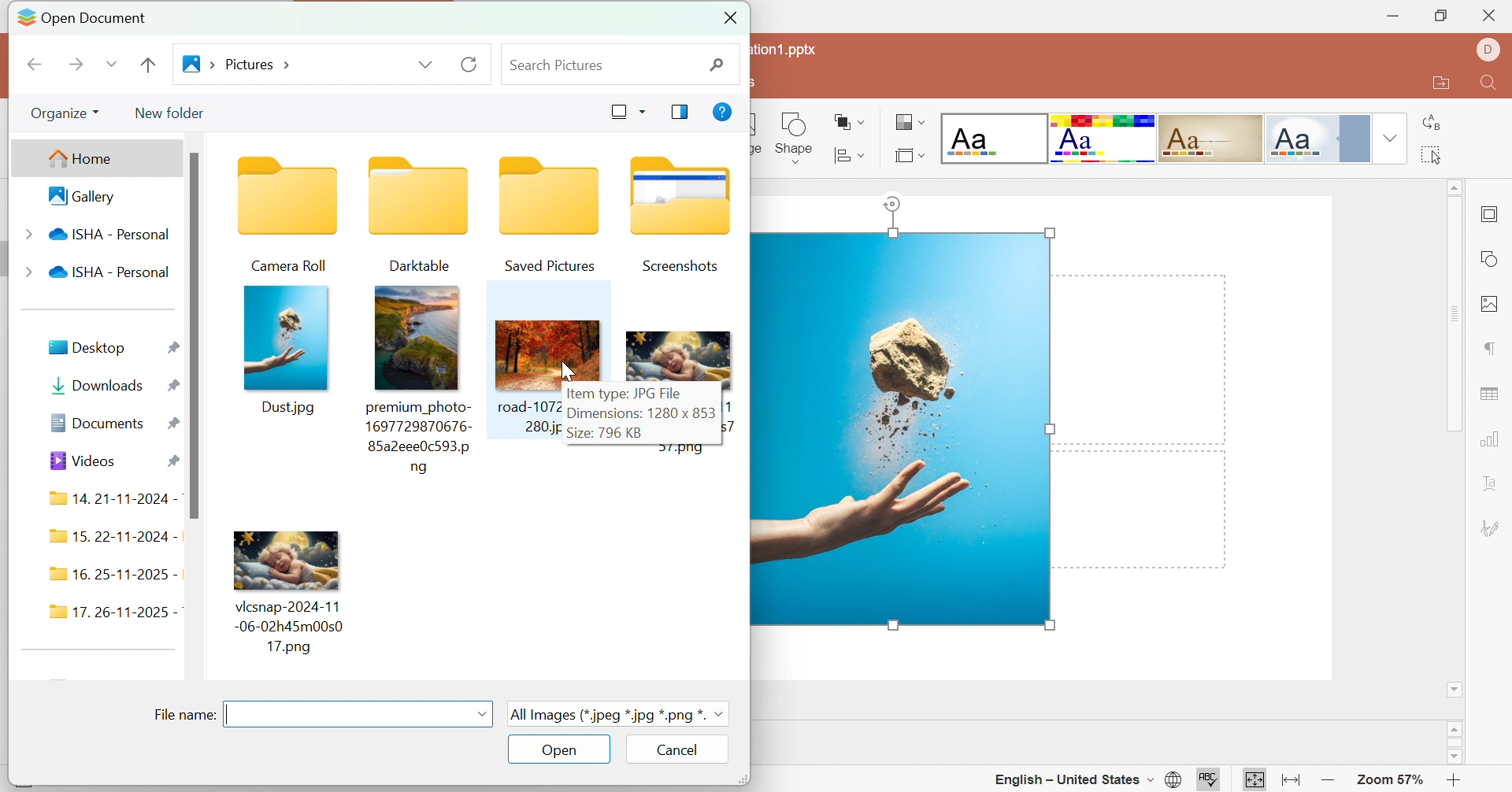 Image resolution: width=1512 pixels, height=792 pixels. Describe the element at coordinates (527, 387) in the screenshot. I see `image` at that location.